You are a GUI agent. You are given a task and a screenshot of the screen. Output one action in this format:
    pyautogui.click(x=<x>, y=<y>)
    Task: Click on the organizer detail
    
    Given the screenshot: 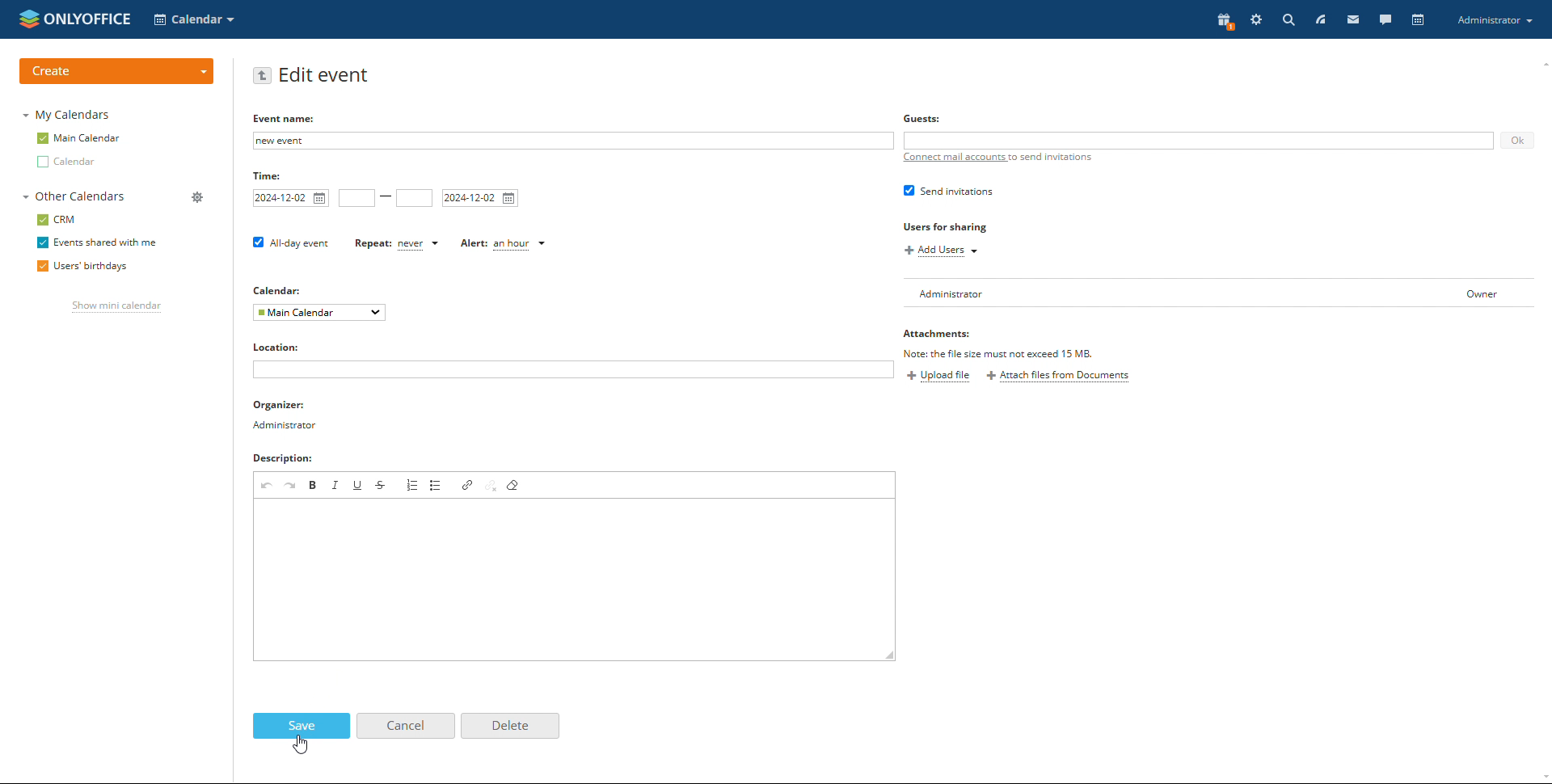 What is the action you would take?
    pyautogui.click(x=285, y=416)
    